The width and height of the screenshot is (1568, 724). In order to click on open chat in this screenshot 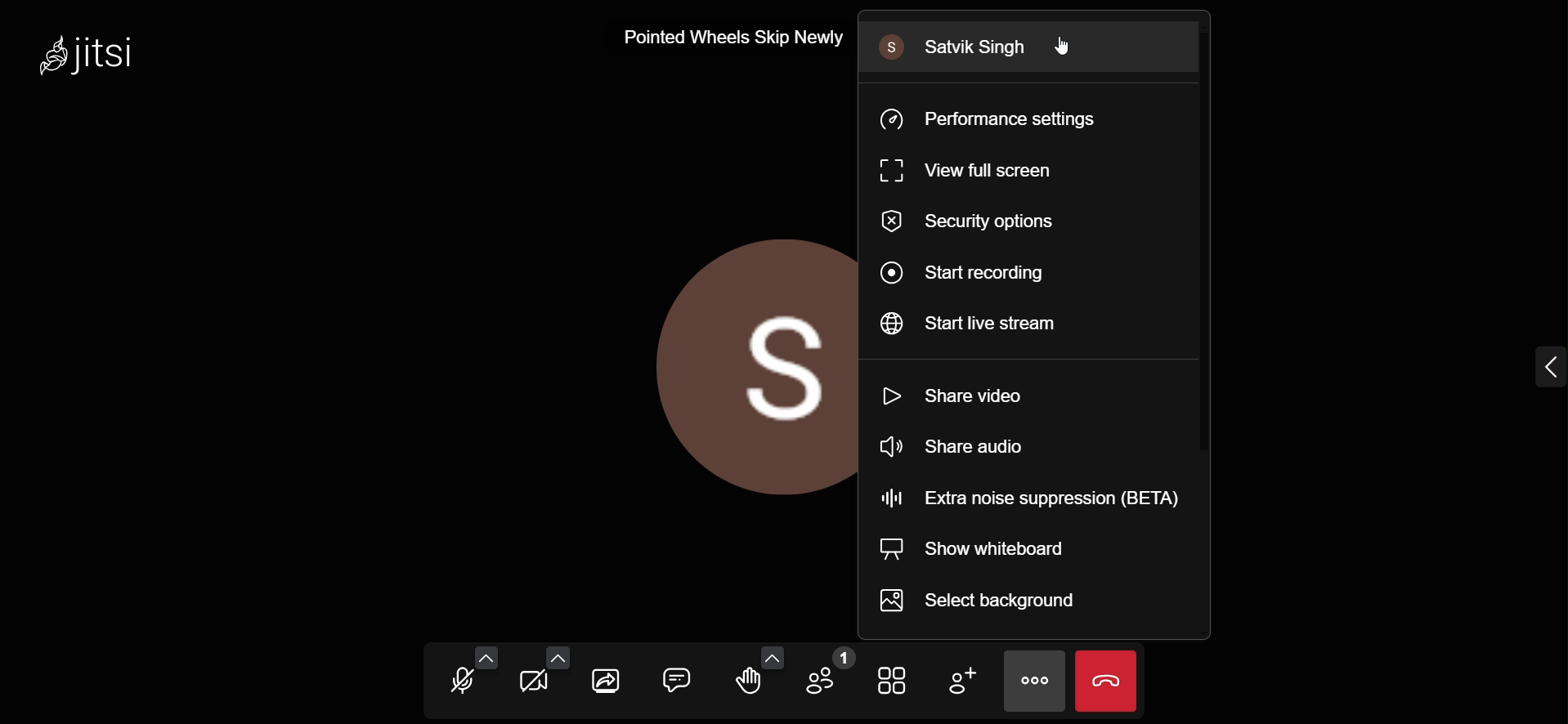, I will do `click(674, 682)`.